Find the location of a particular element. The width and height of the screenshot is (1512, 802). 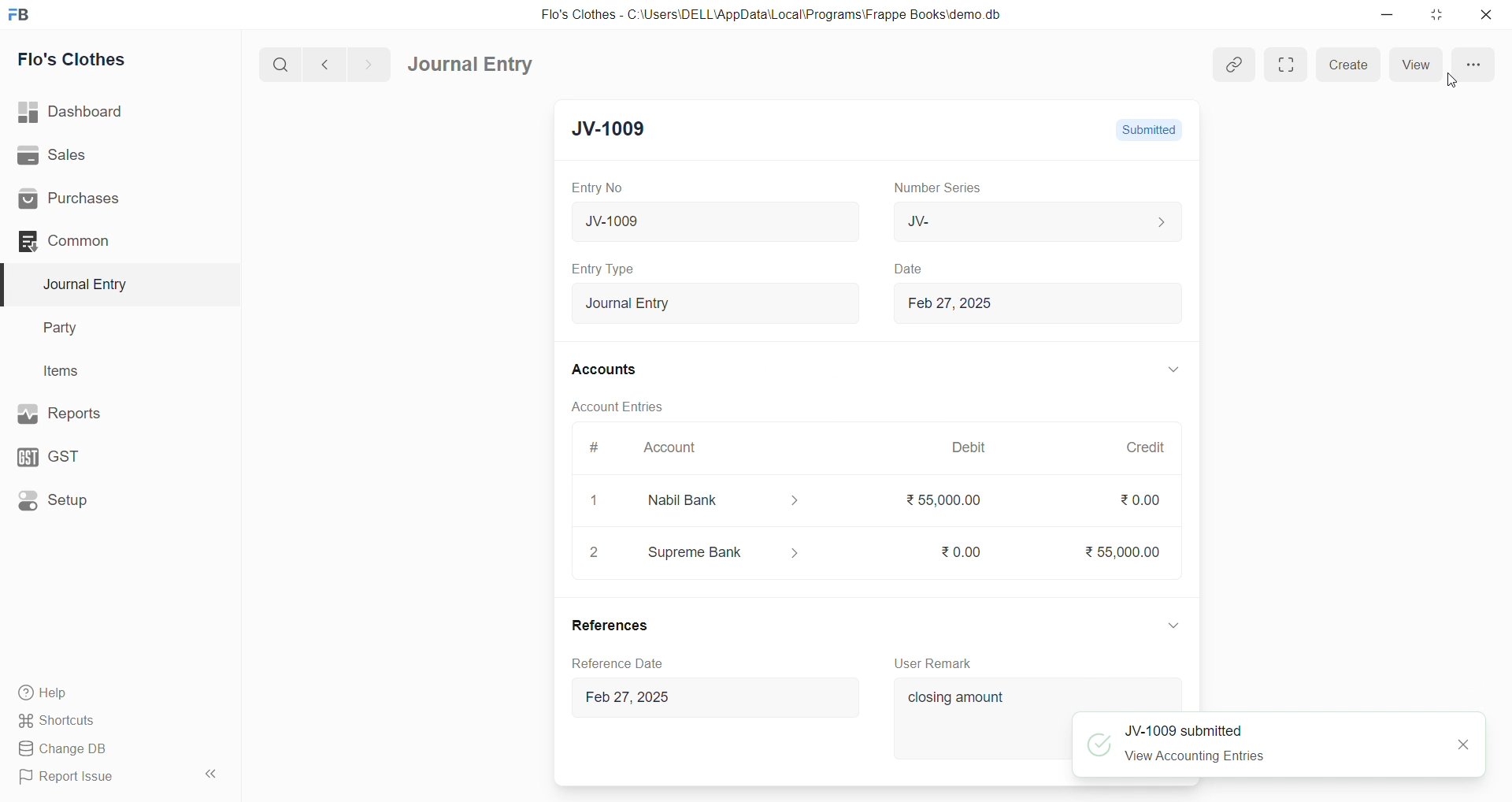

navigate forward is located at coordinates (372, 64).